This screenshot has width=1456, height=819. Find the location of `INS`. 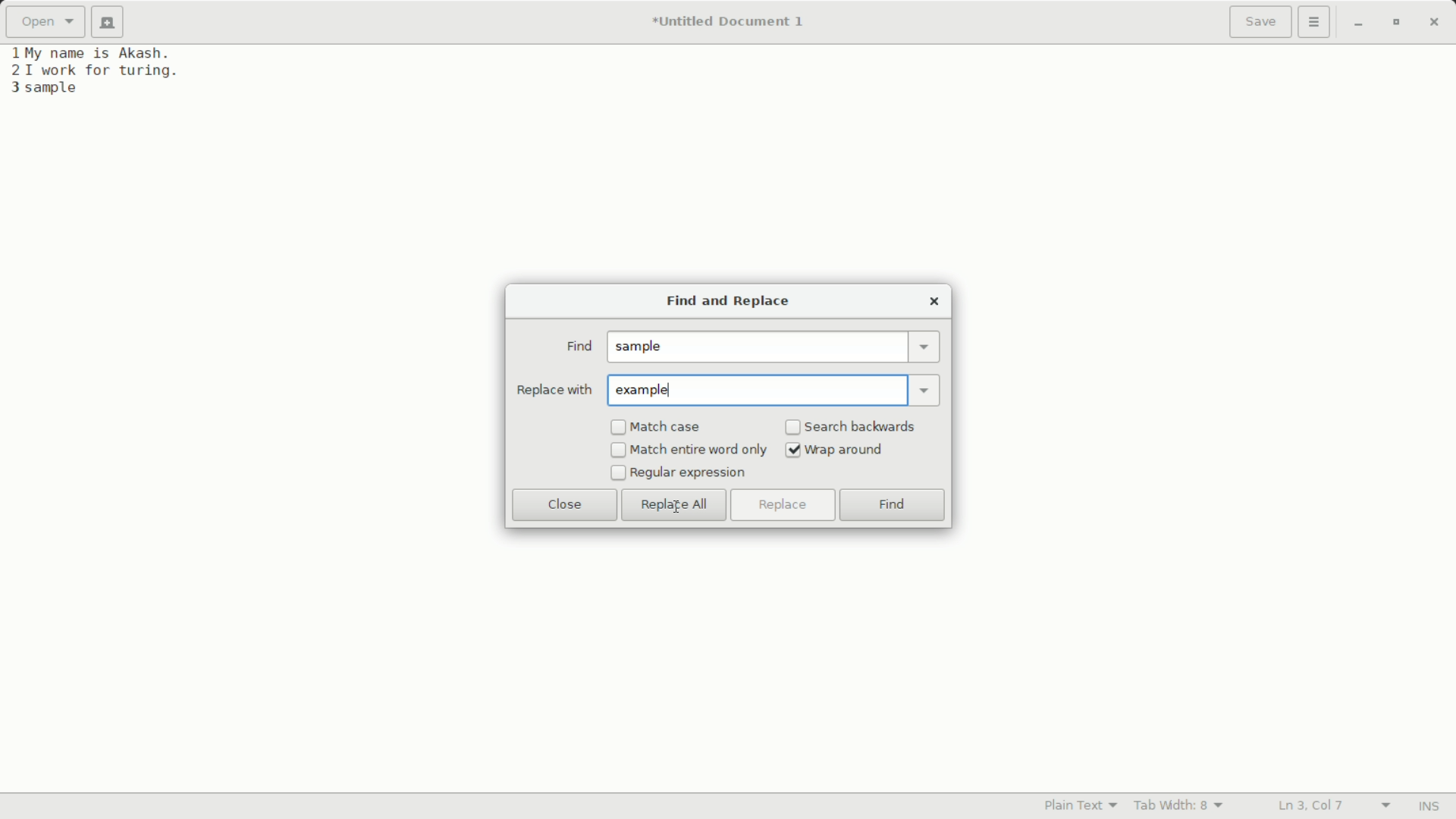

INS is located at coordinates (1428, 807).